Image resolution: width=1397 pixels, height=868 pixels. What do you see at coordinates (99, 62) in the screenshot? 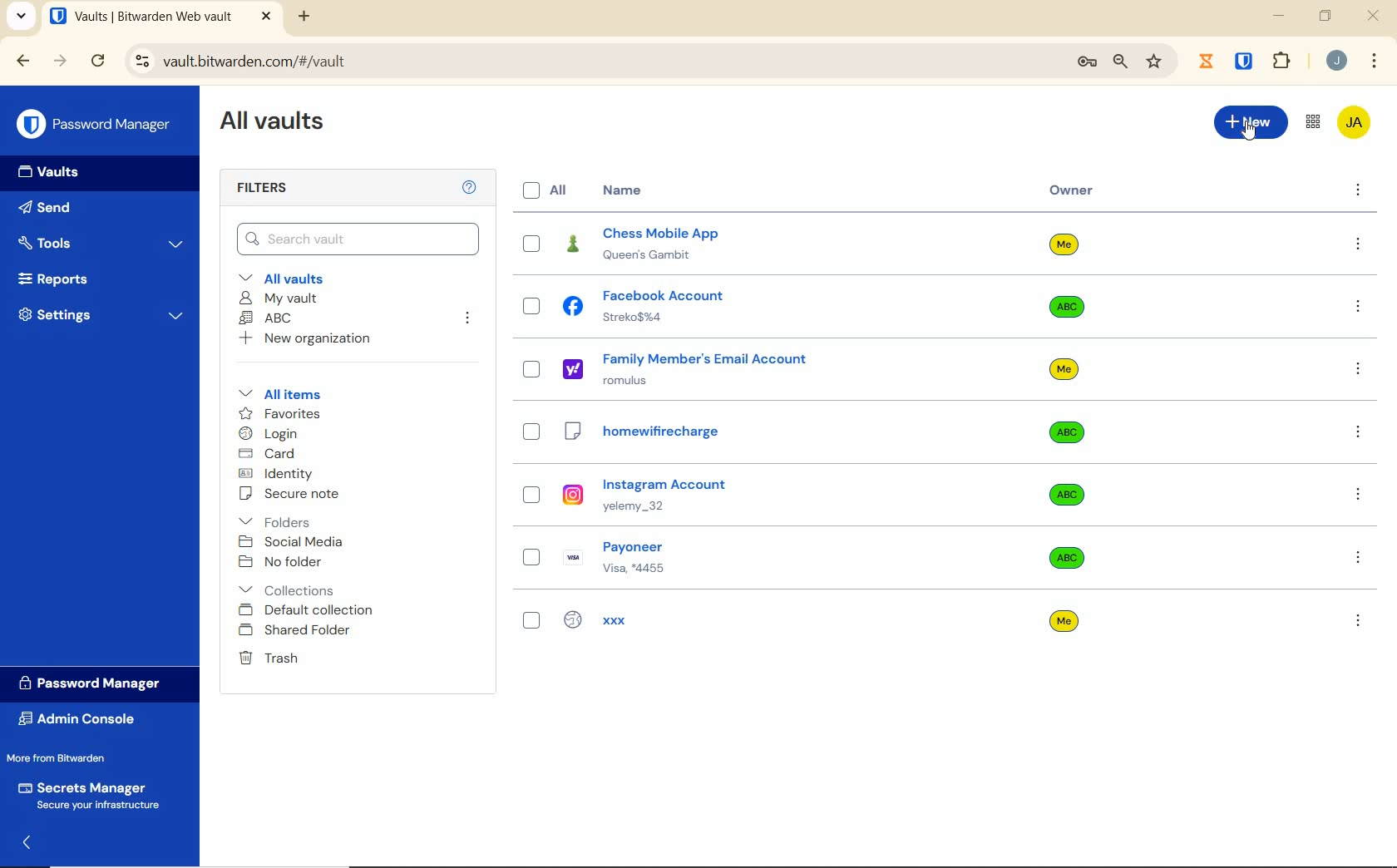
I see `RELOAD` at bounding box center [99, 62].